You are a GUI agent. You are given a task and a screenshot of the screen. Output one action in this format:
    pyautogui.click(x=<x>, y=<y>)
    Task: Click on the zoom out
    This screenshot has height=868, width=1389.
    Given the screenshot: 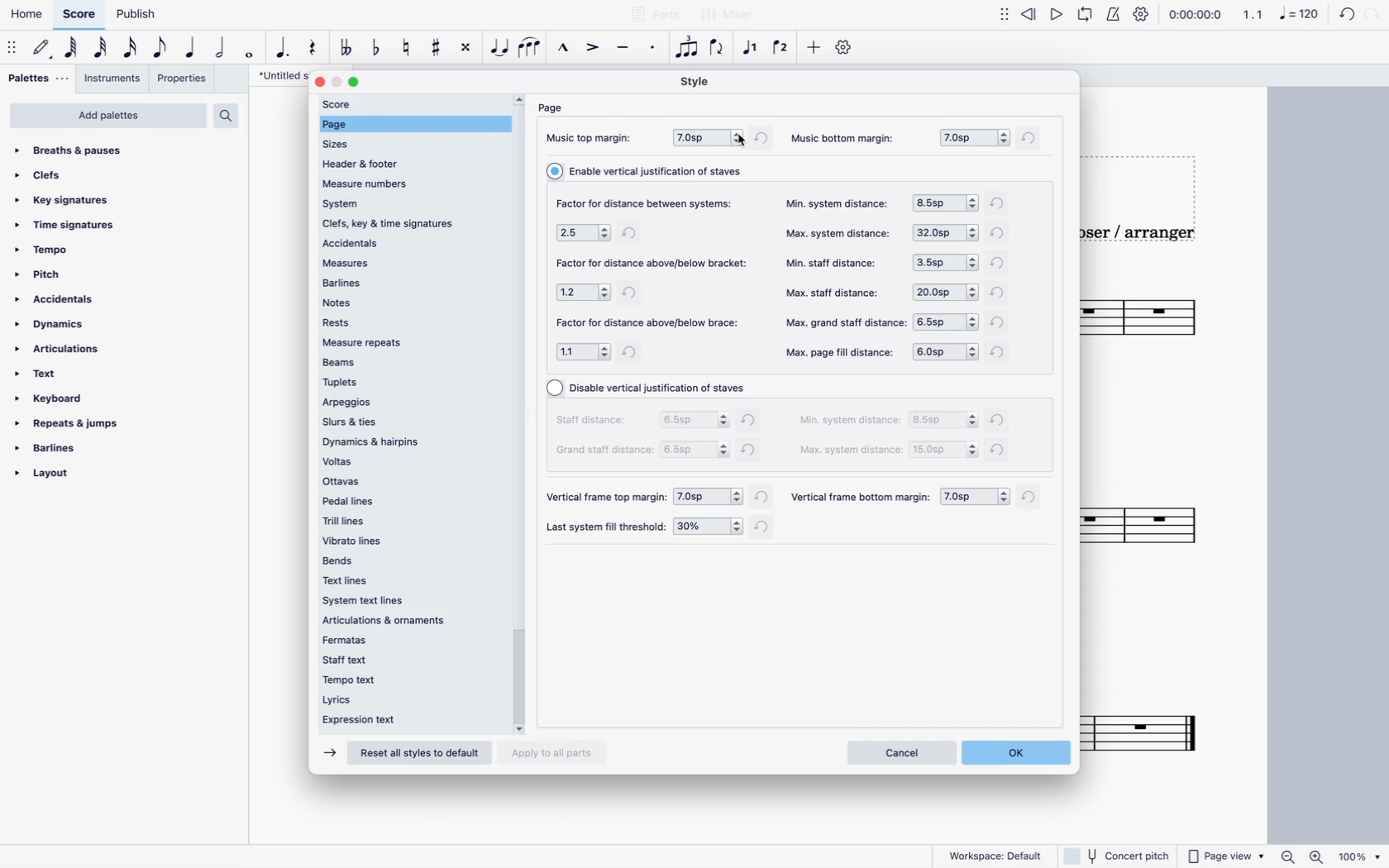 What is the action you would take?
    pyautogui.click(x=1291, y=853)
    